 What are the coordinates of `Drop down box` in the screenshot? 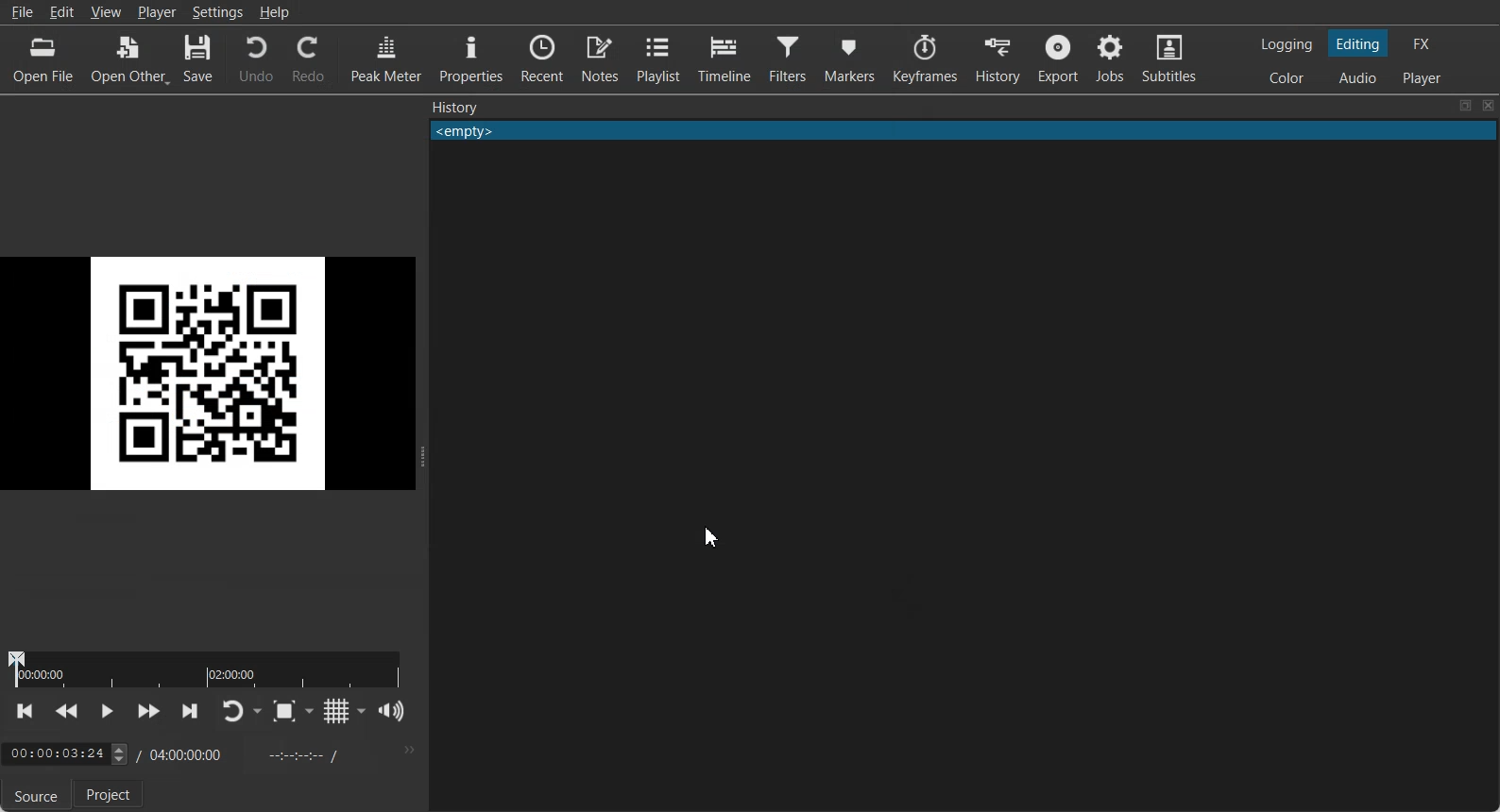 It's located at (310, 711).